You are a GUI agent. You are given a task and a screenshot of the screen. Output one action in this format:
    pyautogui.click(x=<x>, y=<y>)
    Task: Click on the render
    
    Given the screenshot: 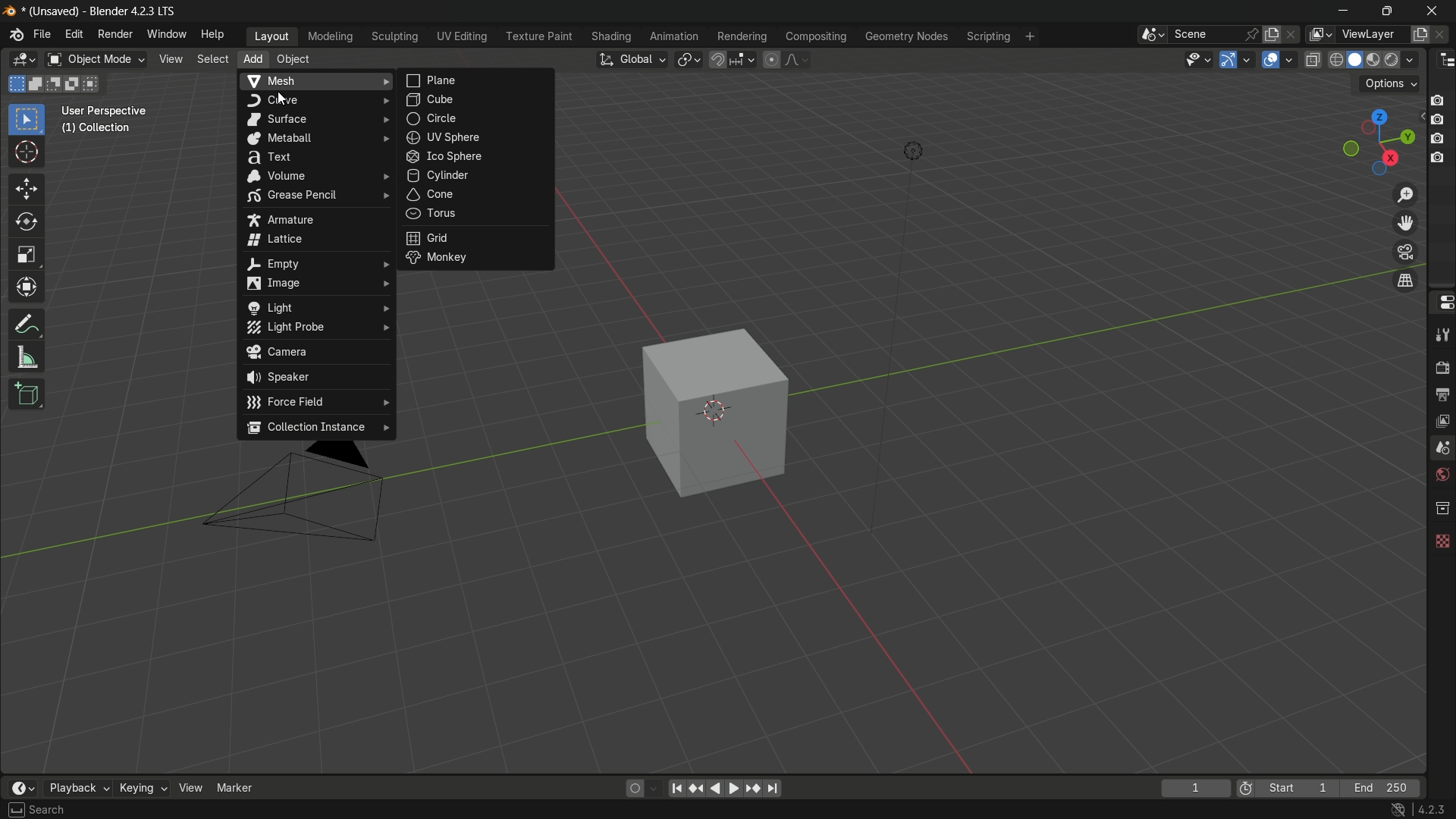 What is the action you would take?
    pyautogui.click(x=1439, y=366)
    